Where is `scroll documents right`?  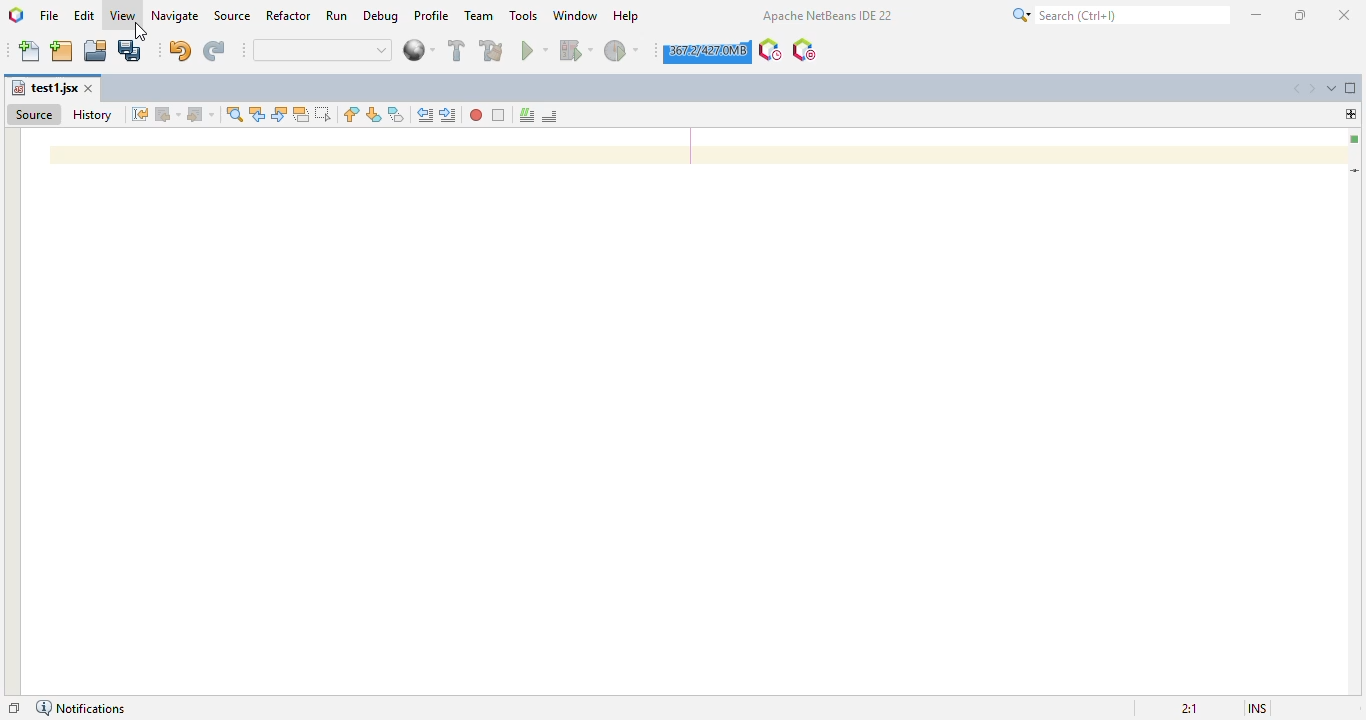
scroll documents right is located at coordinates (1311, 89).